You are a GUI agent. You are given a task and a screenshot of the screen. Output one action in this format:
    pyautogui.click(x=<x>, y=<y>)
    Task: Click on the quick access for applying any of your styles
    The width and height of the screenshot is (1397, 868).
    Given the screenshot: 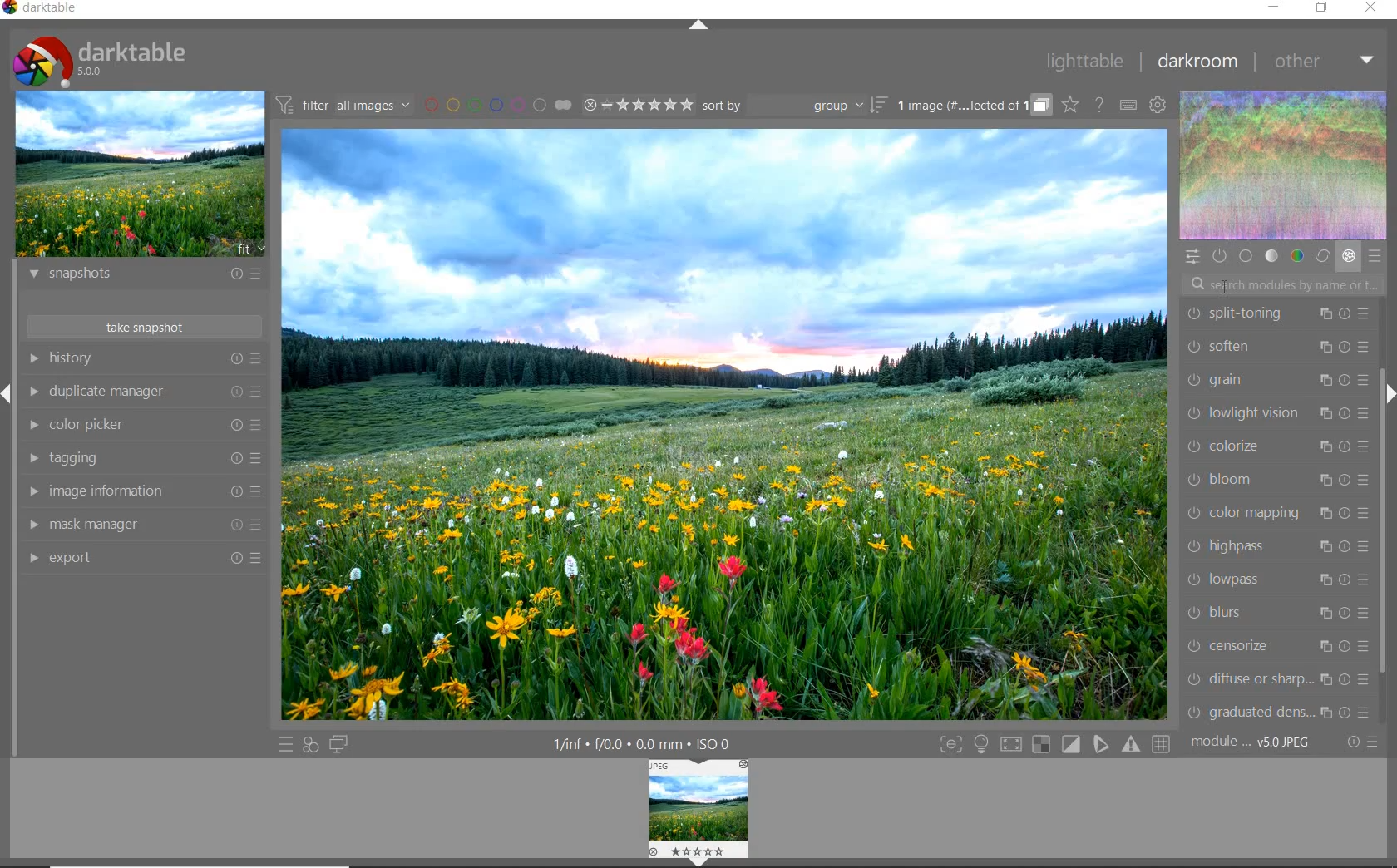 What is the action you would take?
    pyautogui.click(x=311, y=745)
    